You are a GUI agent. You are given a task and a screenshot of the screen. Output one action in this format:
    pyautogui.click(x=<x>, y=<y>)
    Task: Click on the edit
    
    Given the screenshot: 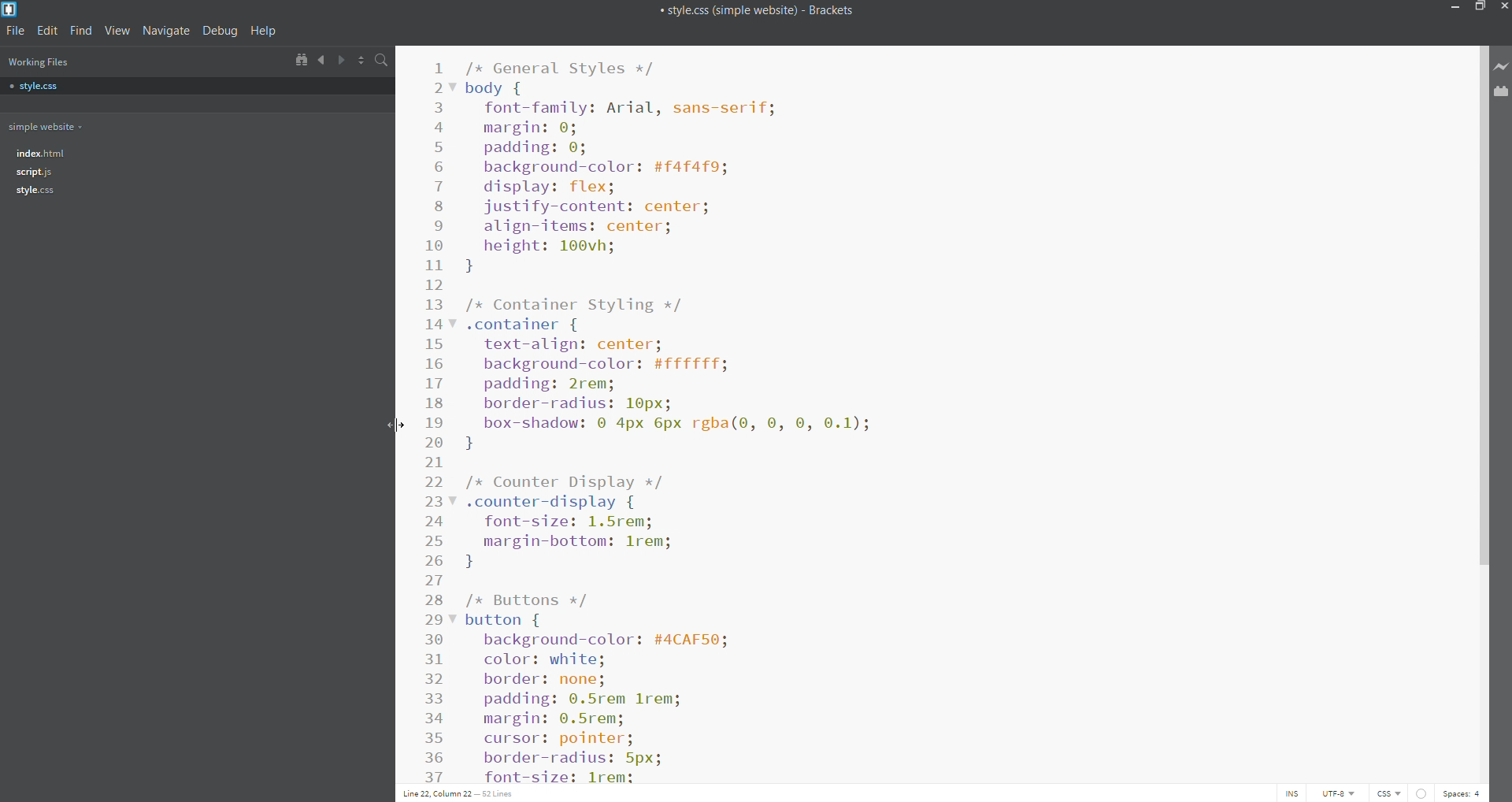 What is the action you would take?
    pyautogui.click(x=48, y=31)
    